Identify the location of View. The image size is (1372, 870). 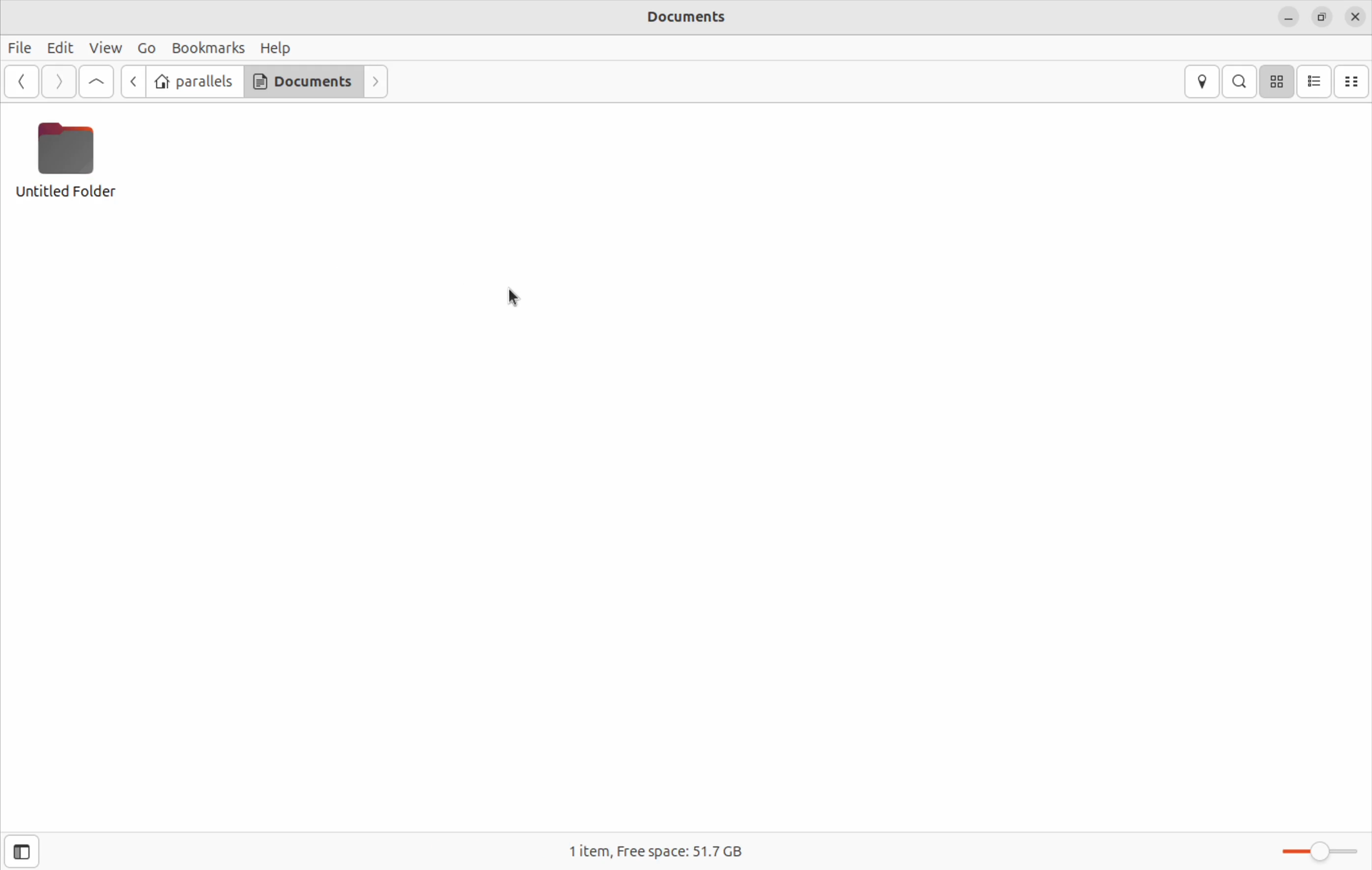
(107, 48).